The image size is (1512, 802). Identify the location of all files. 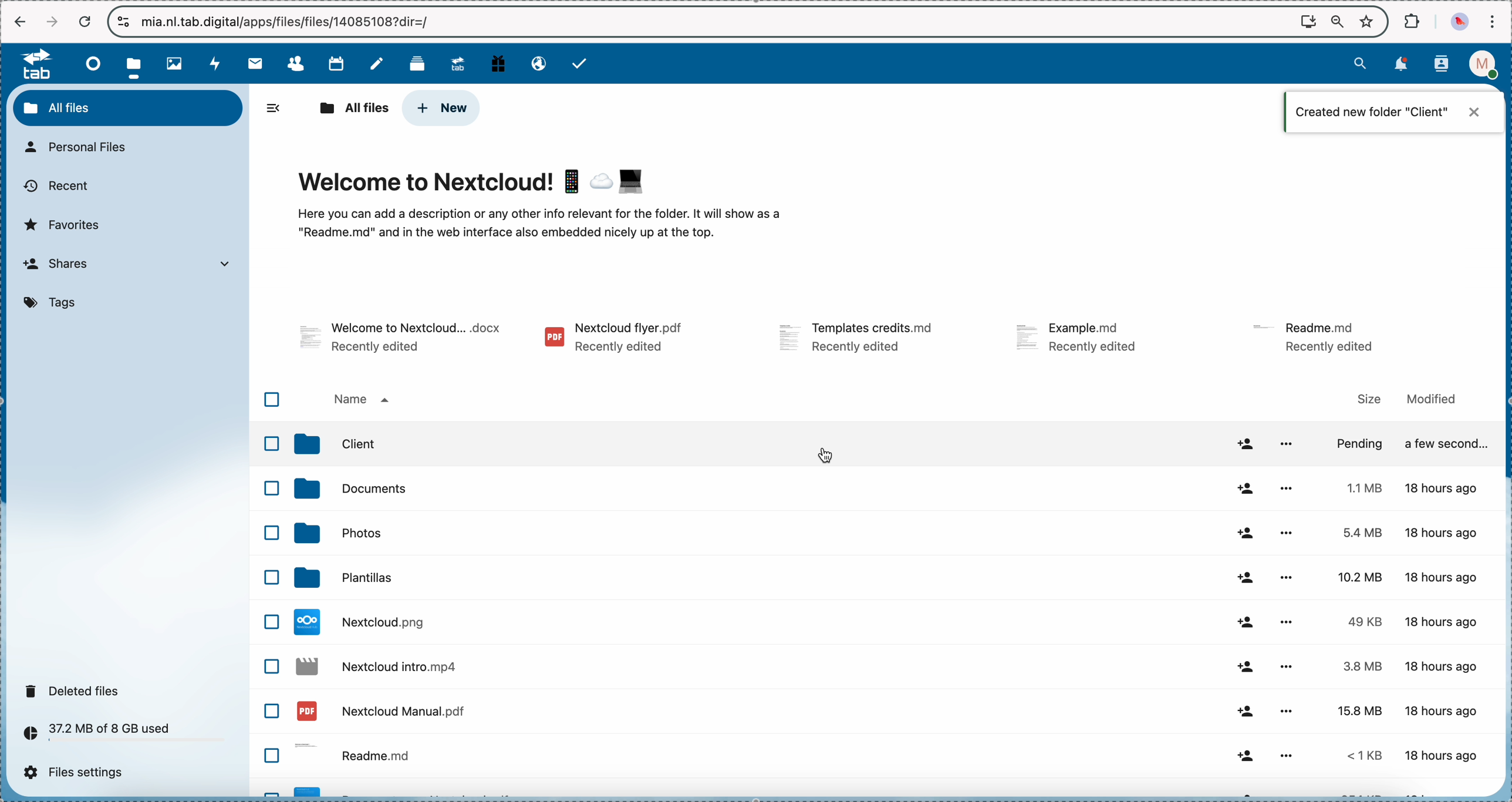
(128, 107).